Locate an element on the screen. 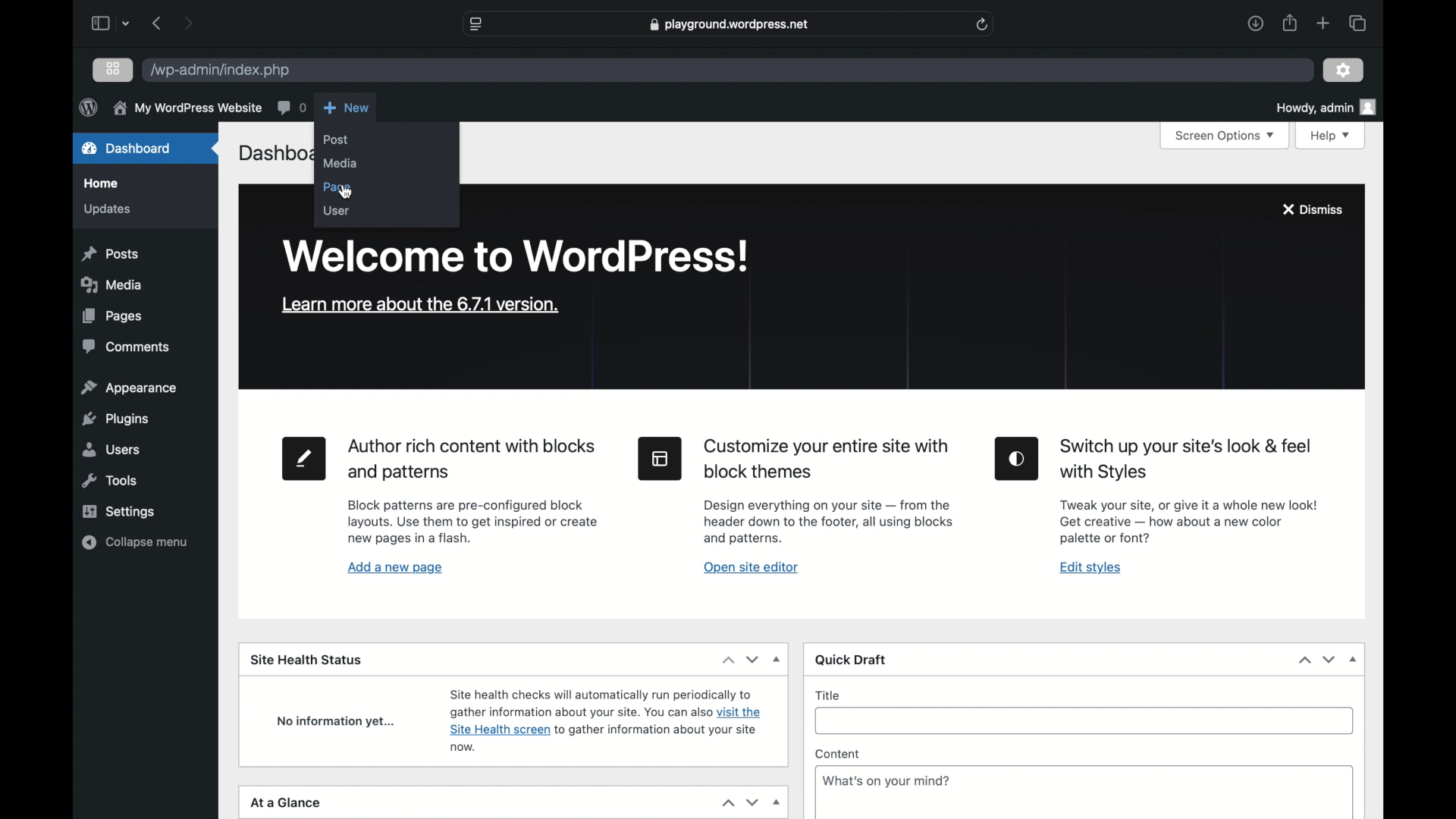 The height and width of the screenshot is (819, 1456). heading is located at coordinates (1187, 460).